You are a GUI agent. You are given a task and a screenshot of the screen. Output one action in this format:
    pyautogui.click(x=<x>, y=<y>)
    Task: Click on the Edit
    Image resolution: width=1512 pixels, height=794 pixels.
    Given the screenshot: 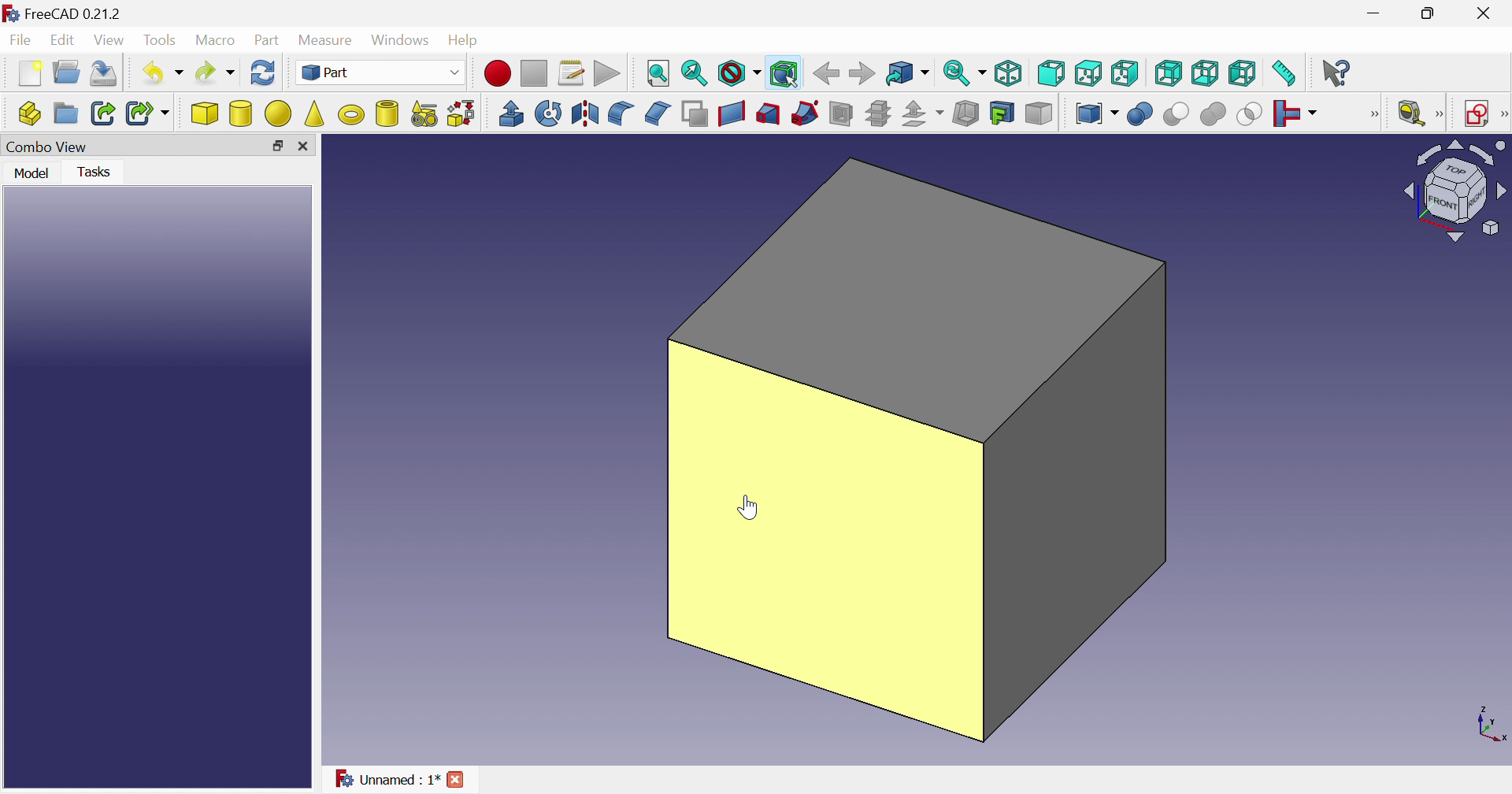 What is the action you would take?
    pyautogui.click(x=65, y=42)
    